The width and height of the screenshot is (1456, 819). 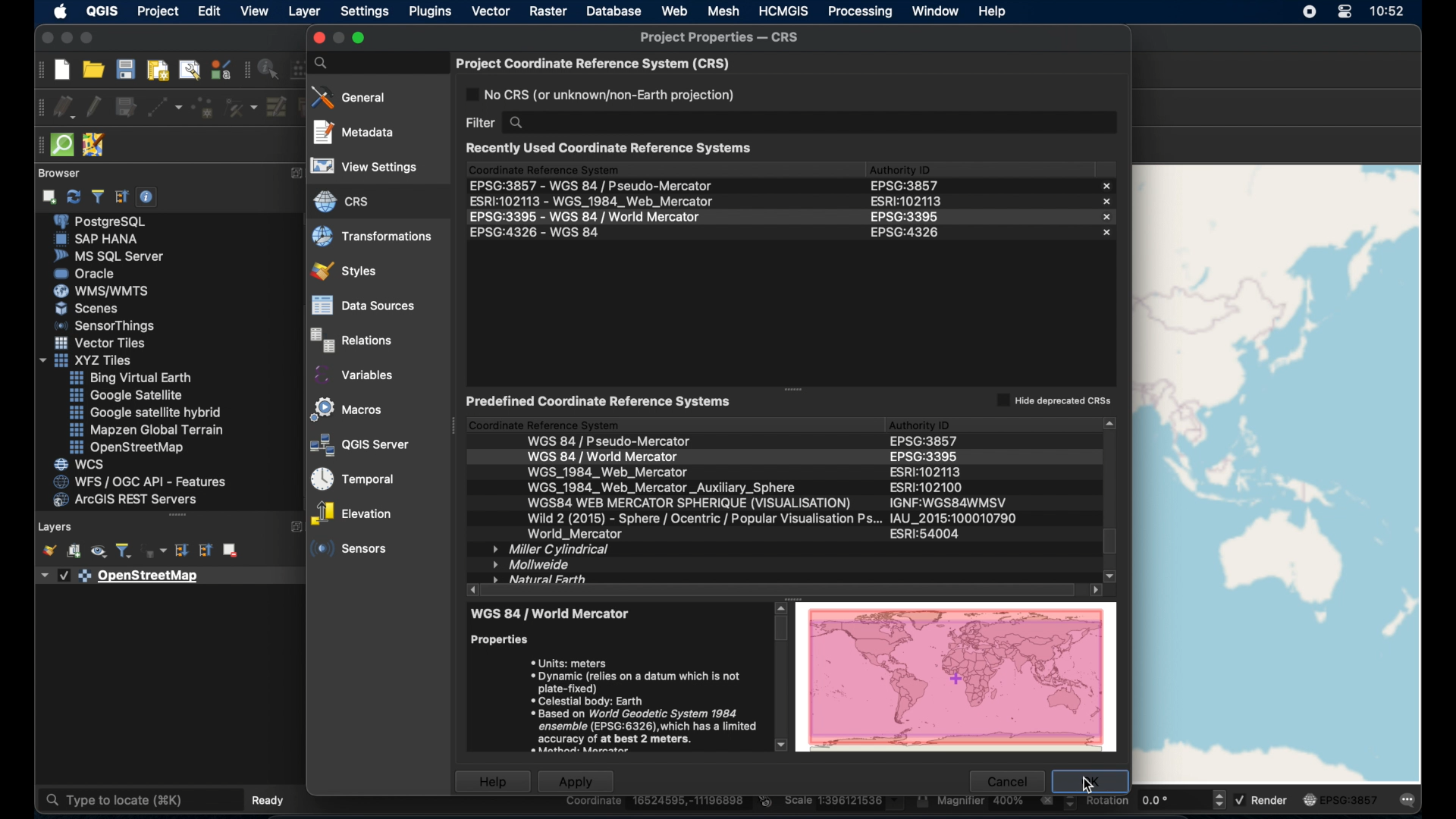 I want to click on properties, so click(x=506, y=639).